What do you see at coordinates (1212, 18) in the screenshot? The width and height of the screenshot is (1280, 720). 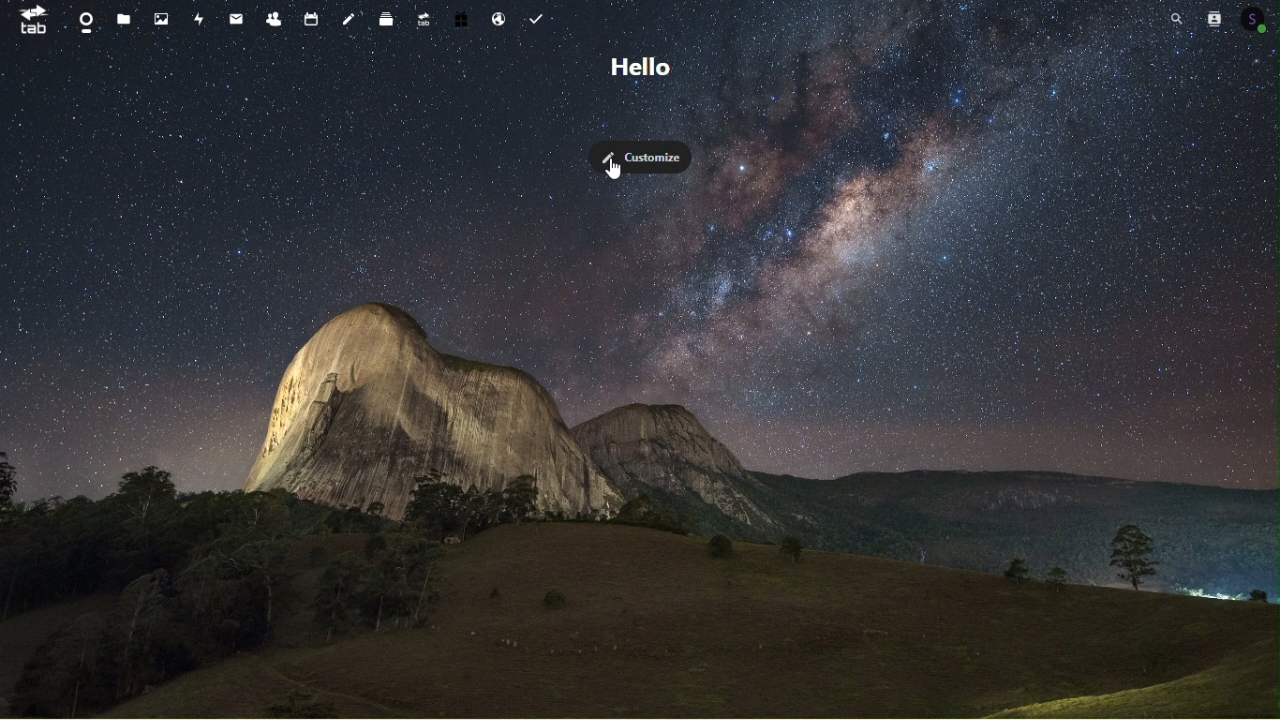 I see `Contacts search` at bounding box center [1212, 18].